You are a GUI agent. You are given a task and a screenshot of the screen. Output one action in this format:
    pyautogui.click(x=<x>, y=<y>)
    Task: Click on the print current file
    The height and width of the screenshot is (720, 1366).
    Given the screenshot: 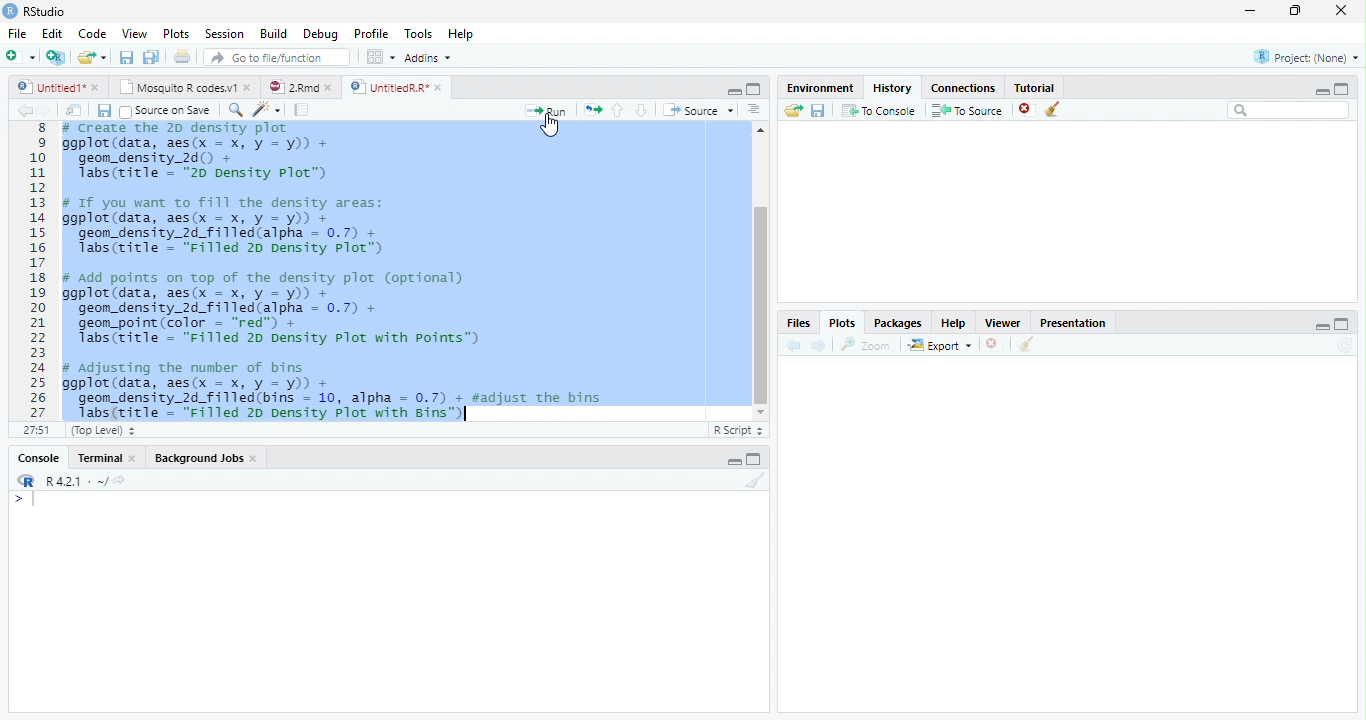 What is the action you would take?
    pyautogui.click(x=182, y=56)
    